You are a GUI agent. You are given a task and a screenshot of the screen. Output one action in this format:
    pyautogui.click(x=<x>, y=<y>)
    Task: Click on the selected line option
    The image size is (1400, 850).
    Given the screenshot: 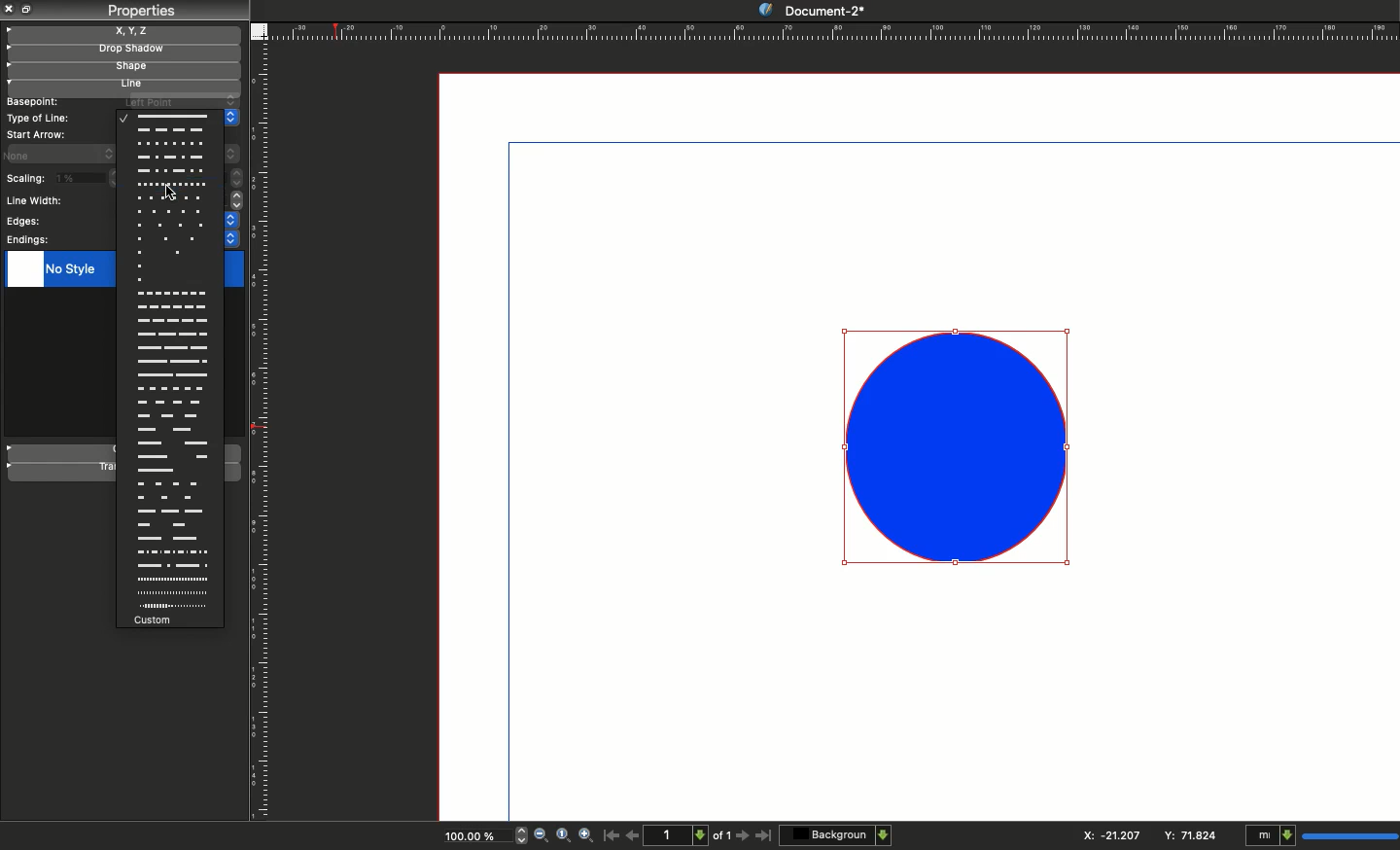 What is the action you would take?
    pyautogui.click(x=165, y=117)
    